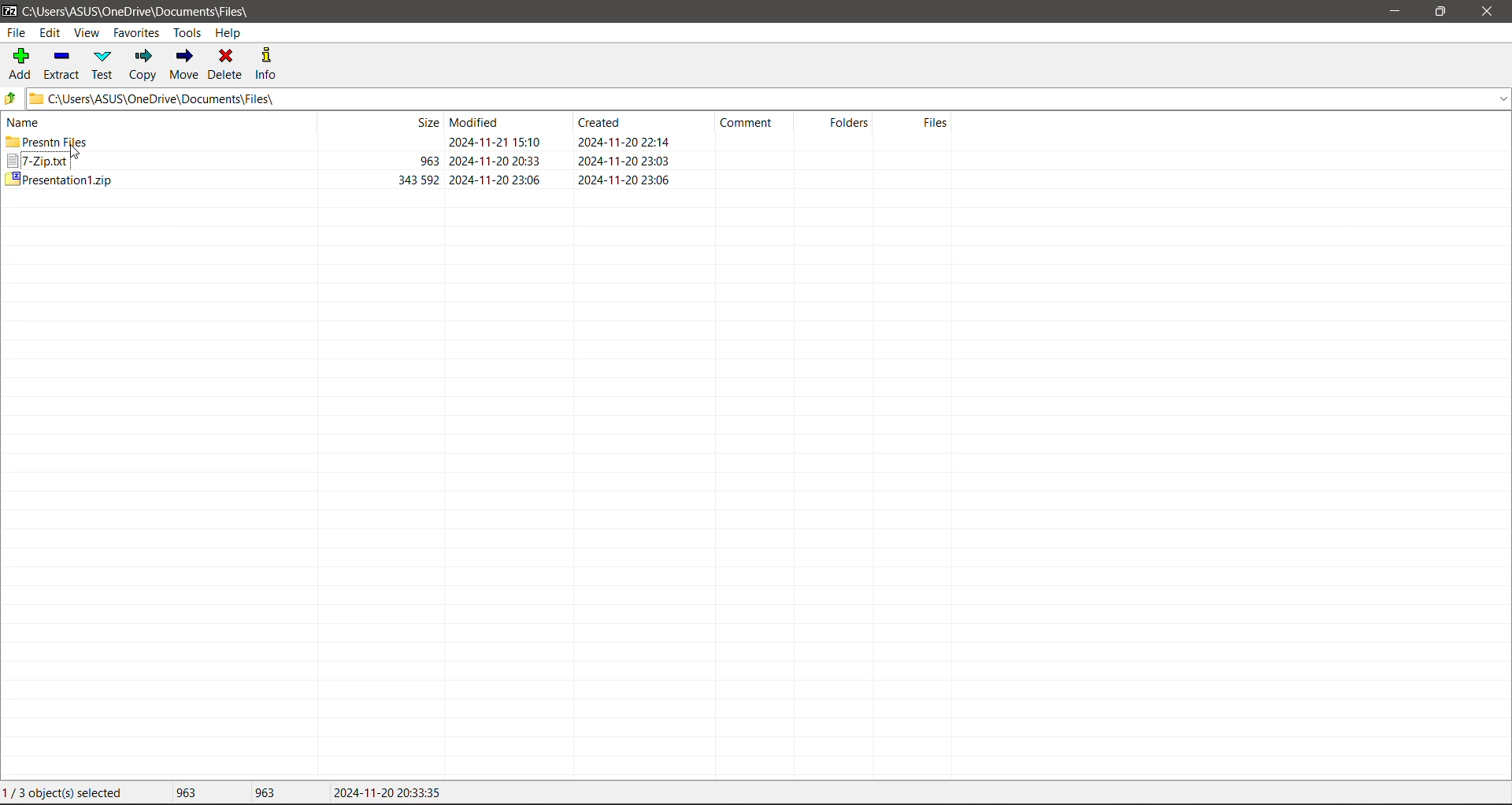  Describe the element at coordinates (453, 180) in the screenshot. I see `` at that location.